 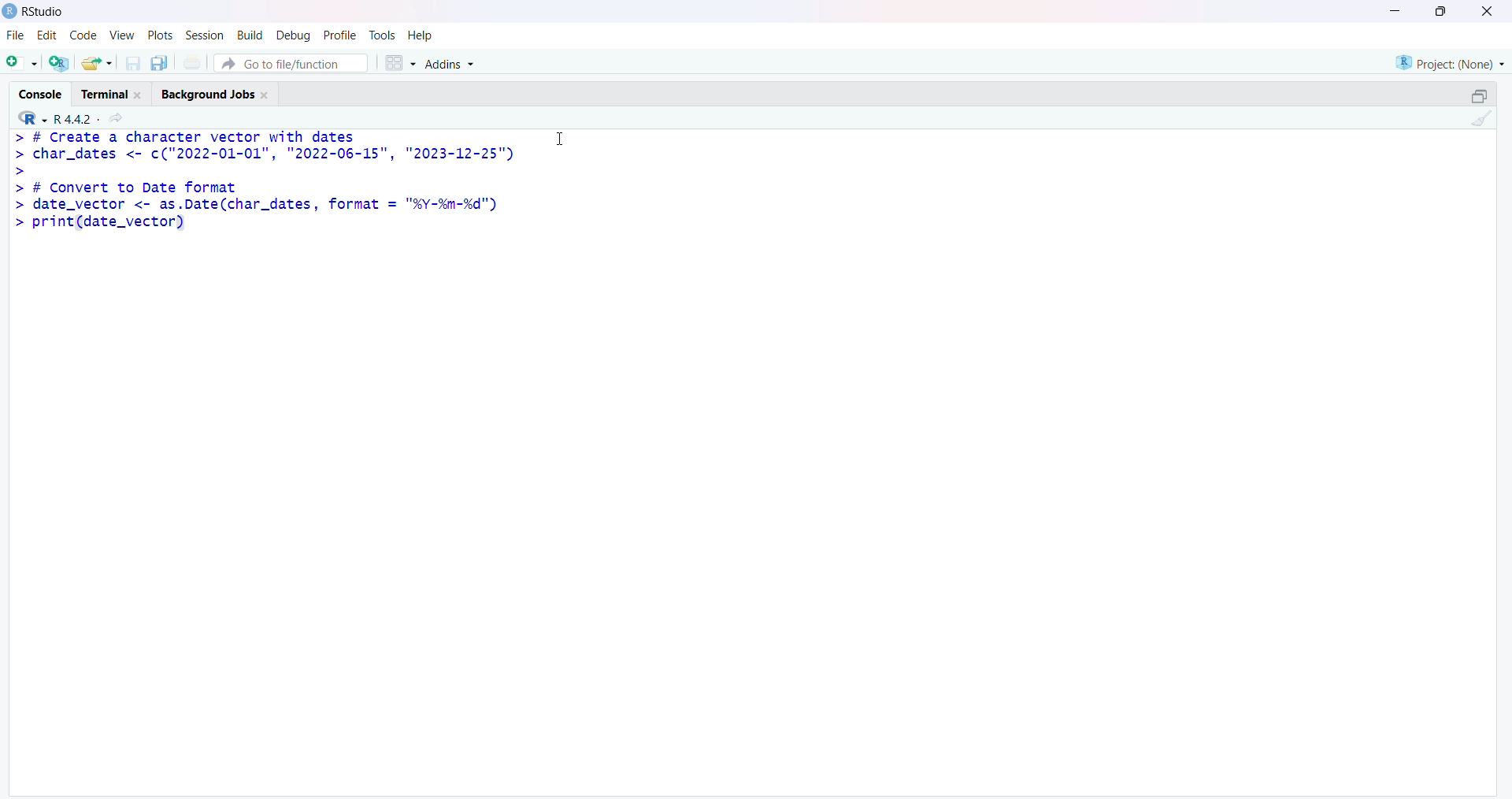 What do you see at coordinates (27, 117) in the screenshot?
I see `R` at bounding box center [27, 117].